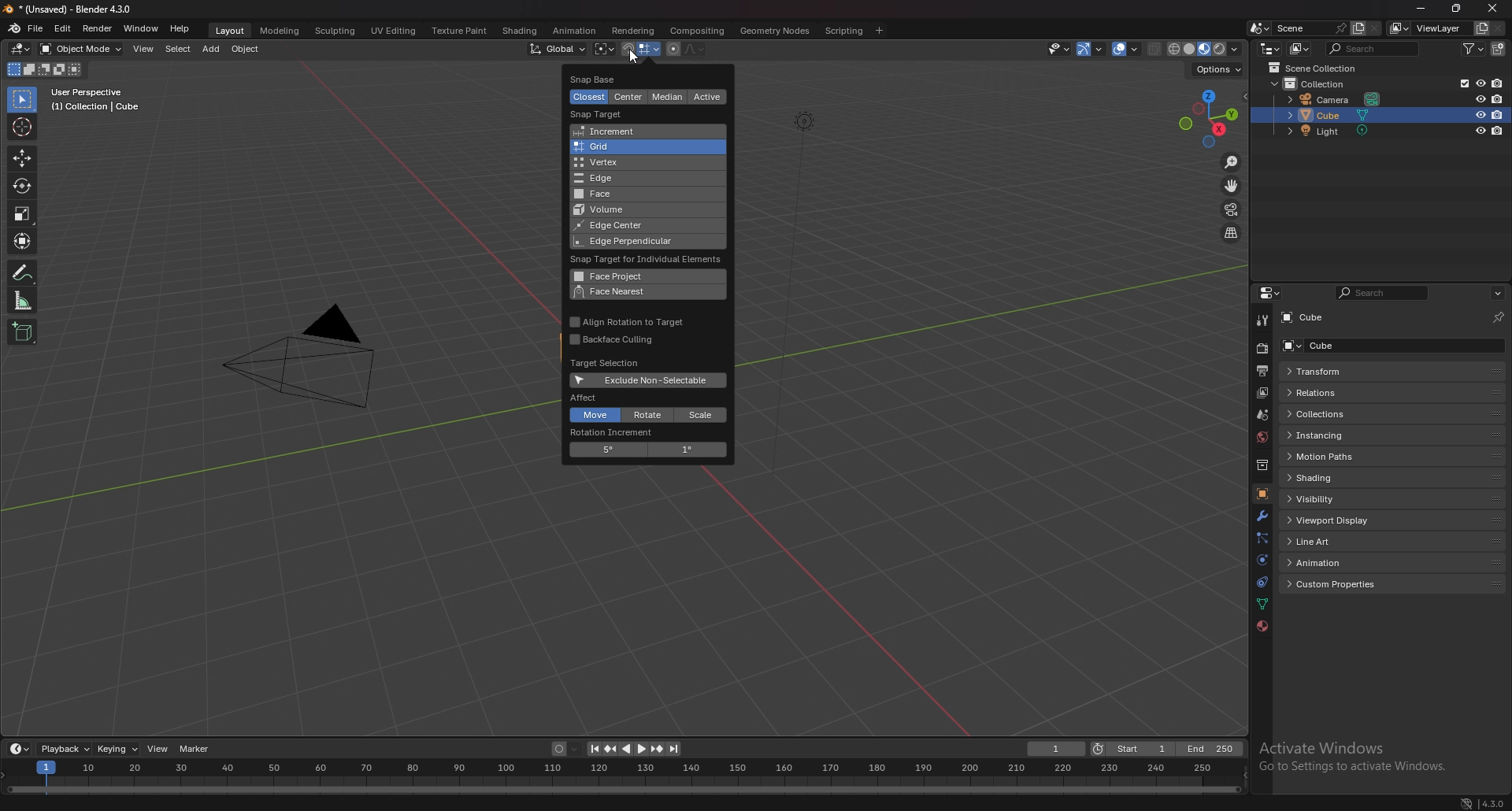 Image resolution: width=1512 pixels, height=811 pixels. I want to click on median, so click(670, 97).